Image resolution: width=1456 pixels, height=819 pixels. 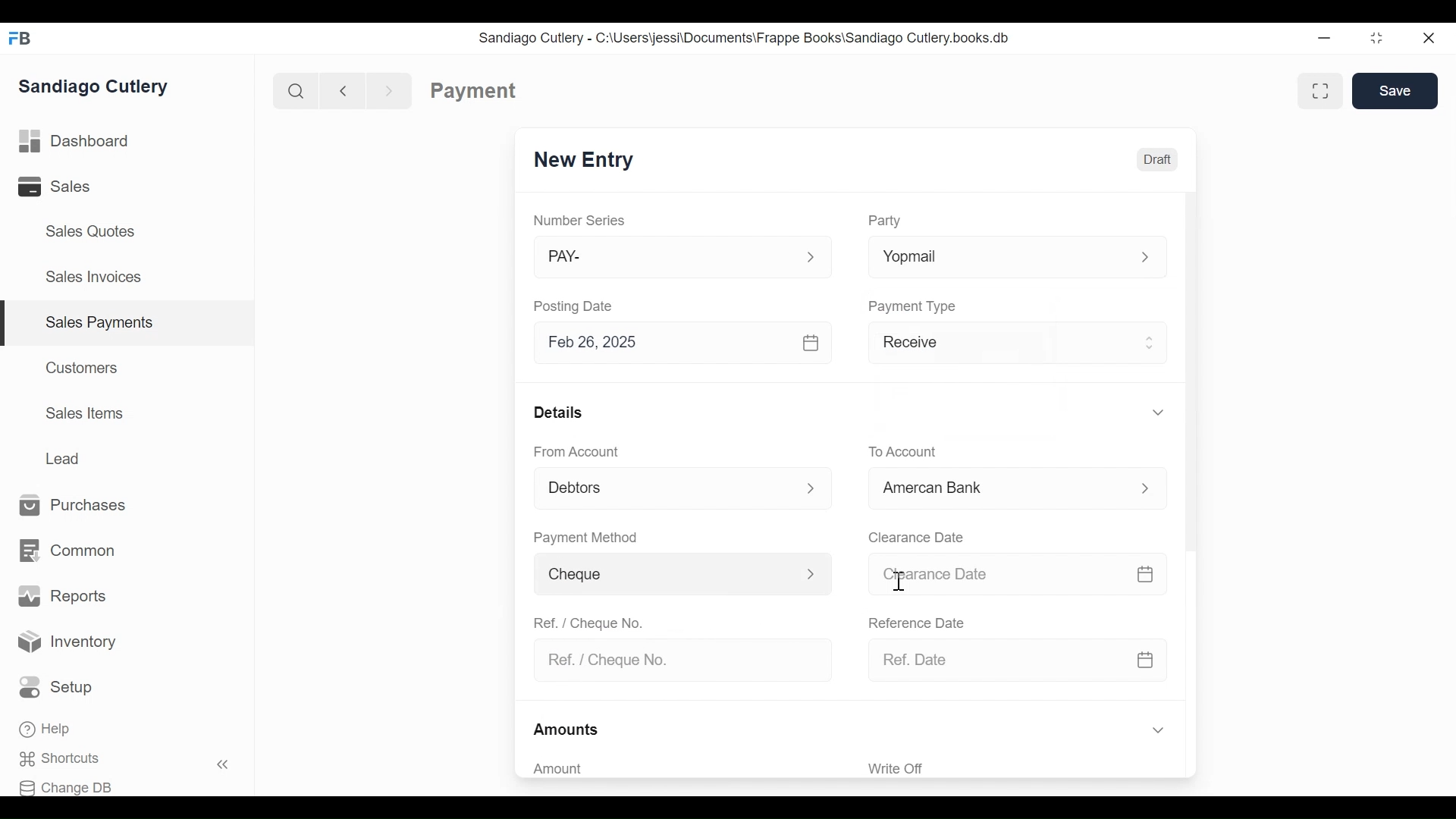 What do you see at coordinates (576, 306) in the screenshot?
I see `Posting Date` at bounding box center [576, 306].